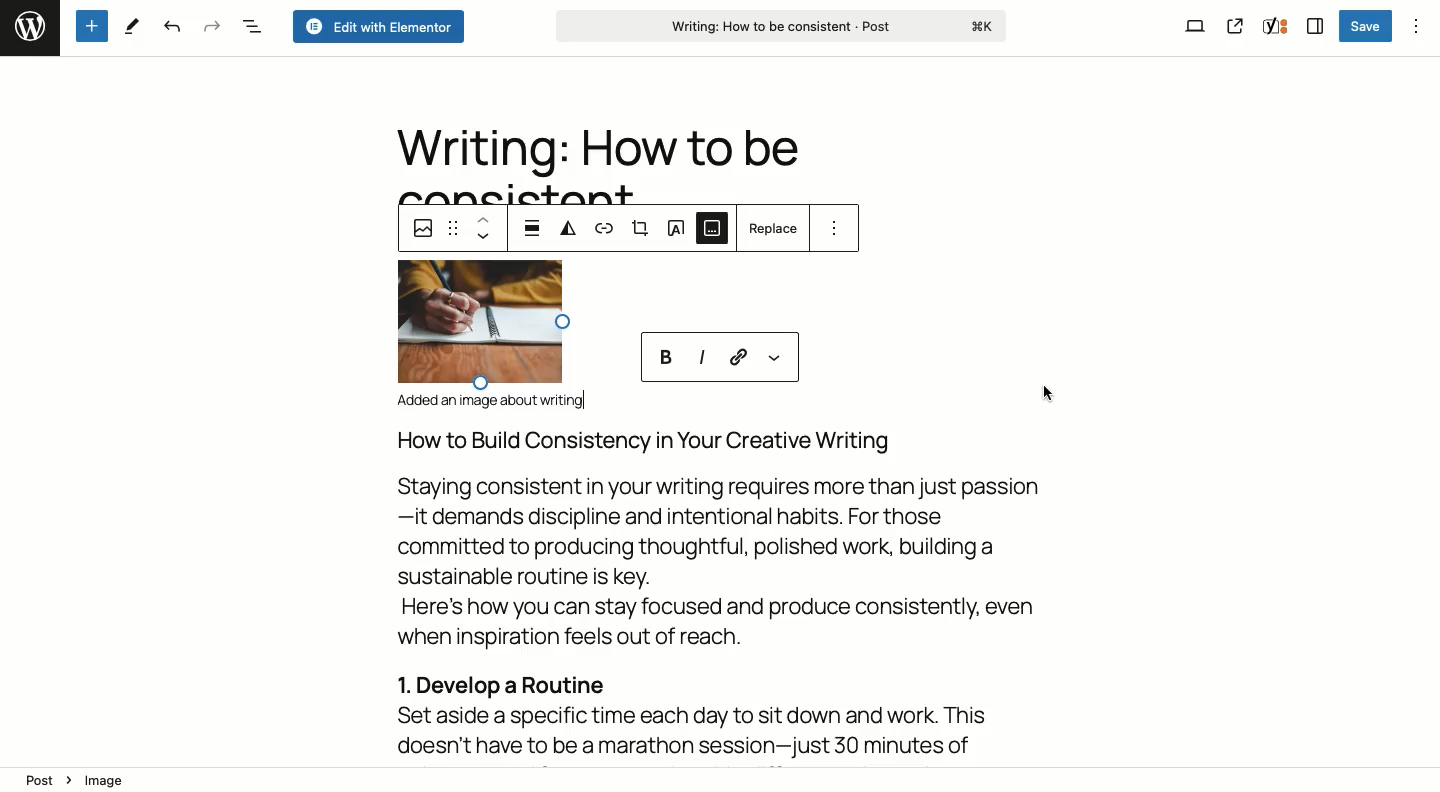  Describe the element at coordinates (1235, 27) in the screenshot. I see `View post` at that location.